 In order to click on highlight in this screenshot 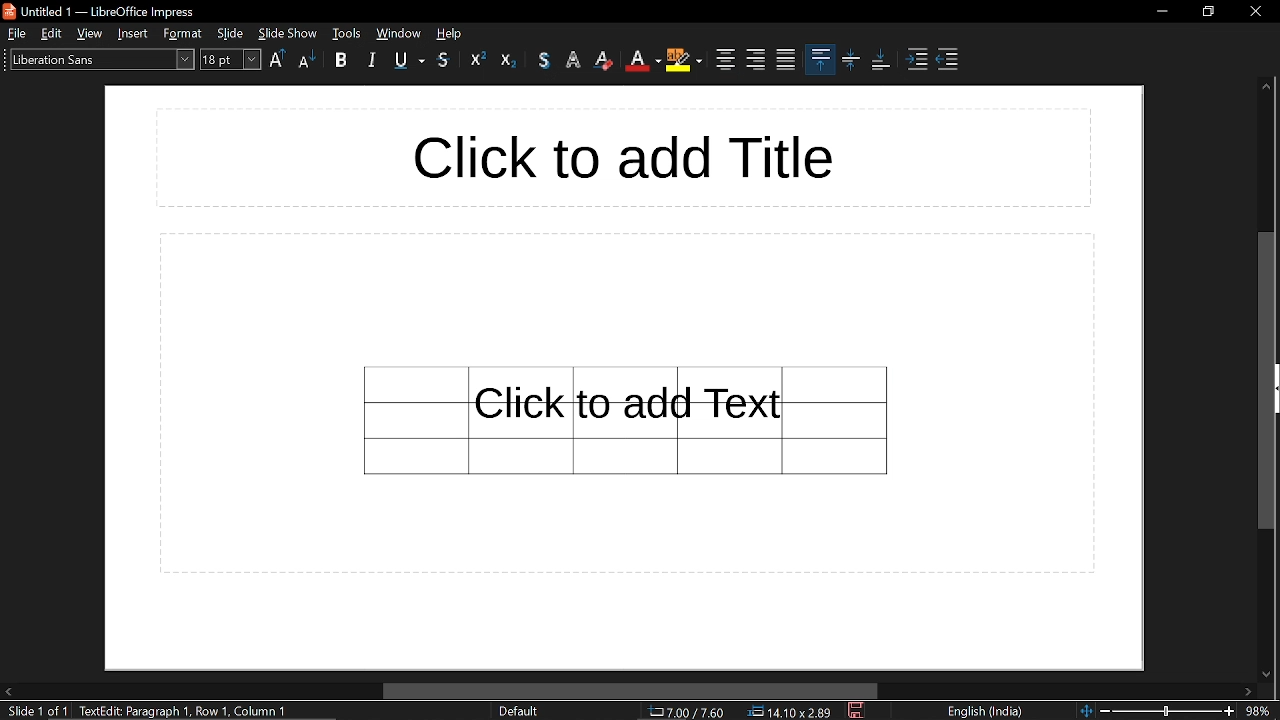, I will do `click(683, 62)`.